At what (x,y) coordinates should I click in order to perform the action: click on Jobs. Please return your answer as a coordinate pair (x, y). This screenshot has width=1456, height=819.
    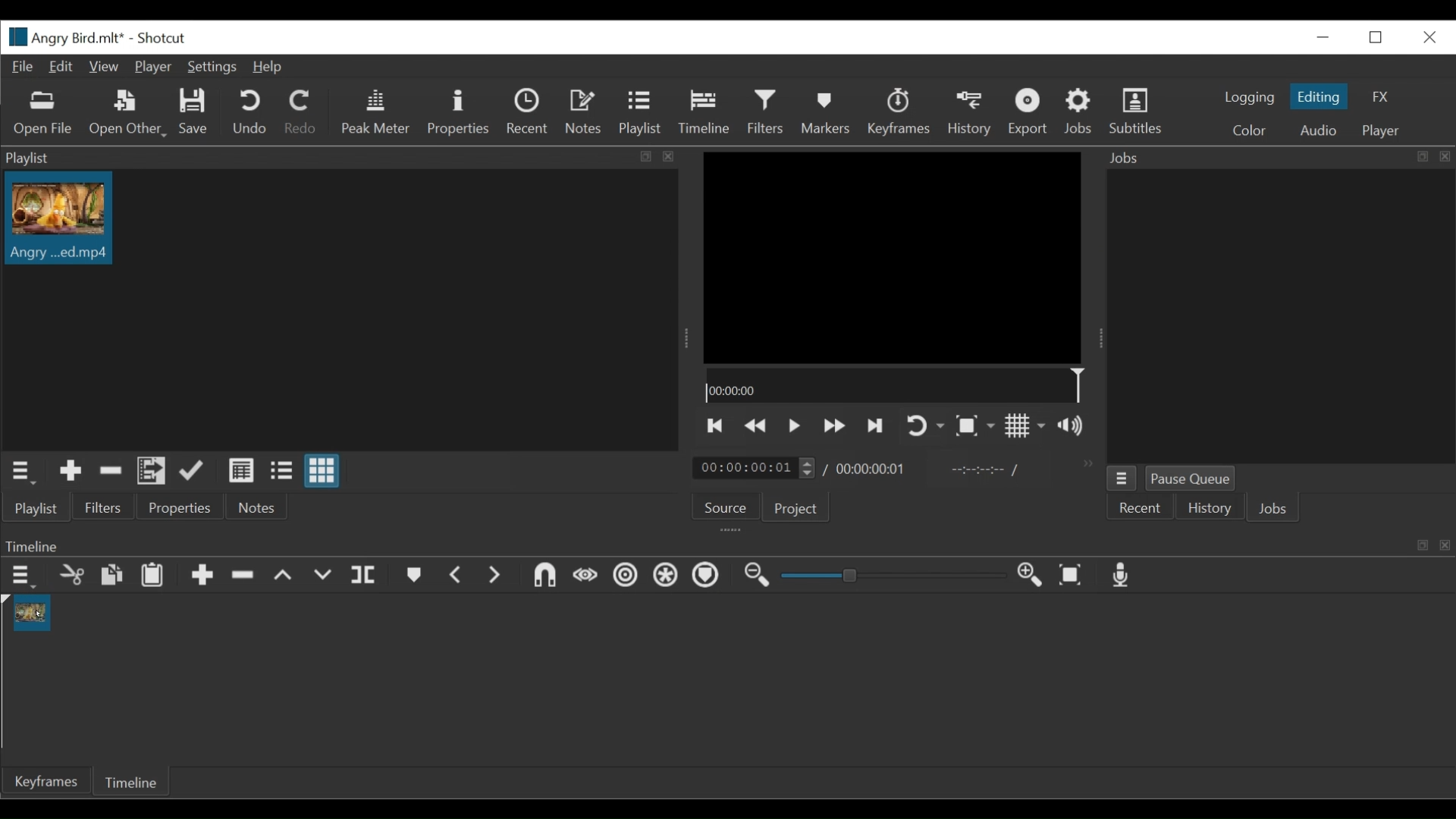
    Looking at the image, I should click on (1276, 511).